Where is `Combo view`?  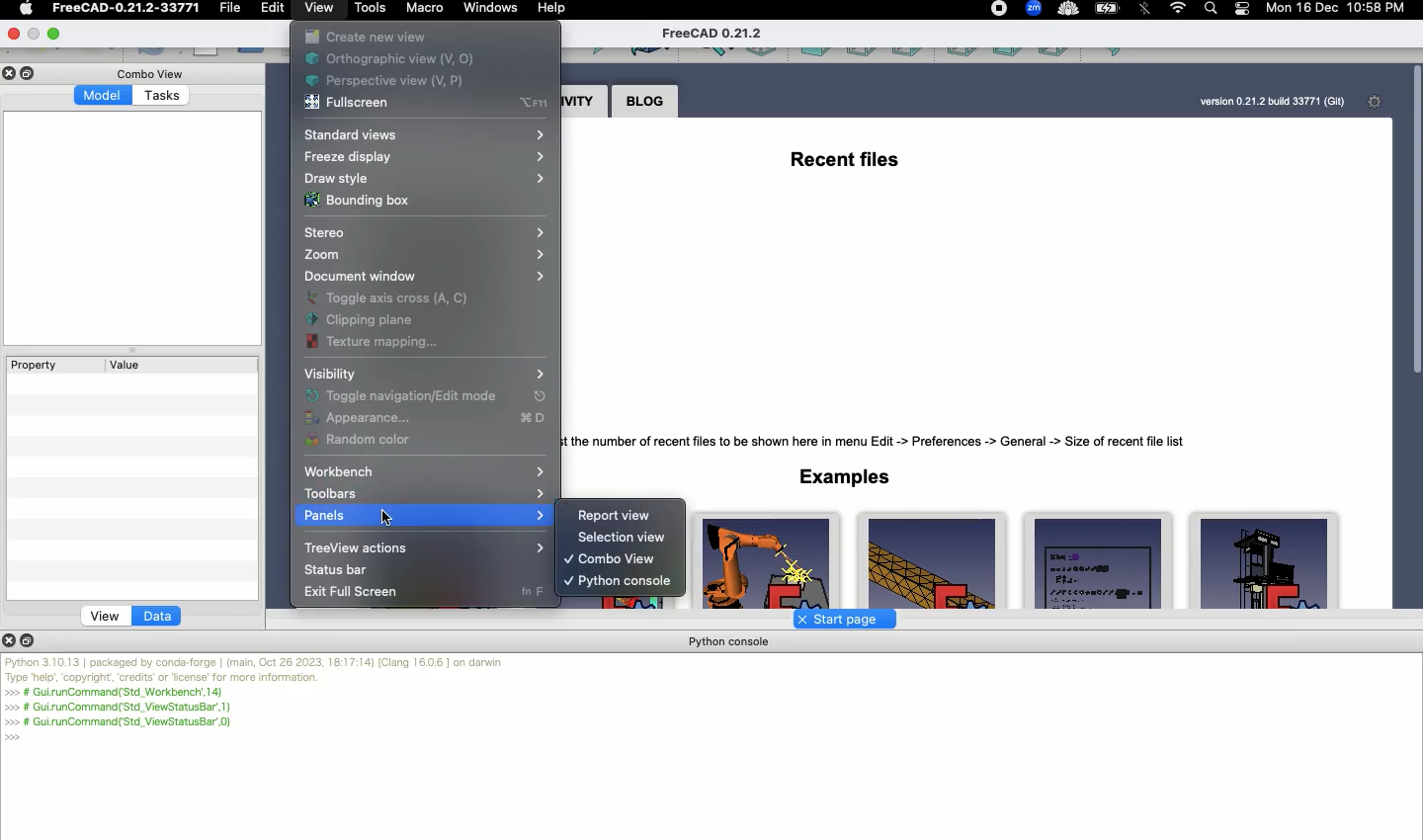
Combo view is located at coordinates (610, 559).